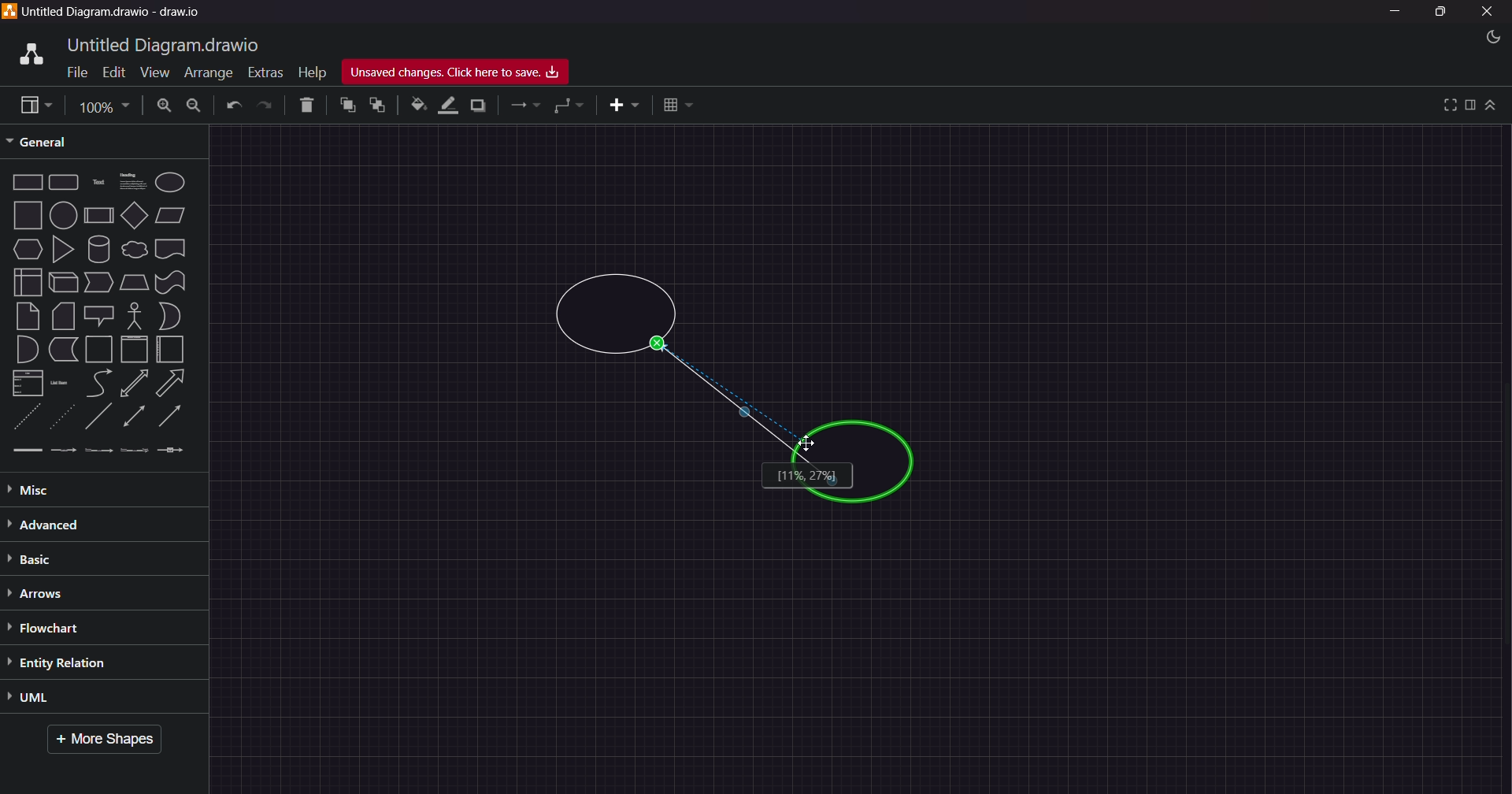 The height and width of the screenshot is (794, 1512). I want to click on shadow, so click(481, 105).